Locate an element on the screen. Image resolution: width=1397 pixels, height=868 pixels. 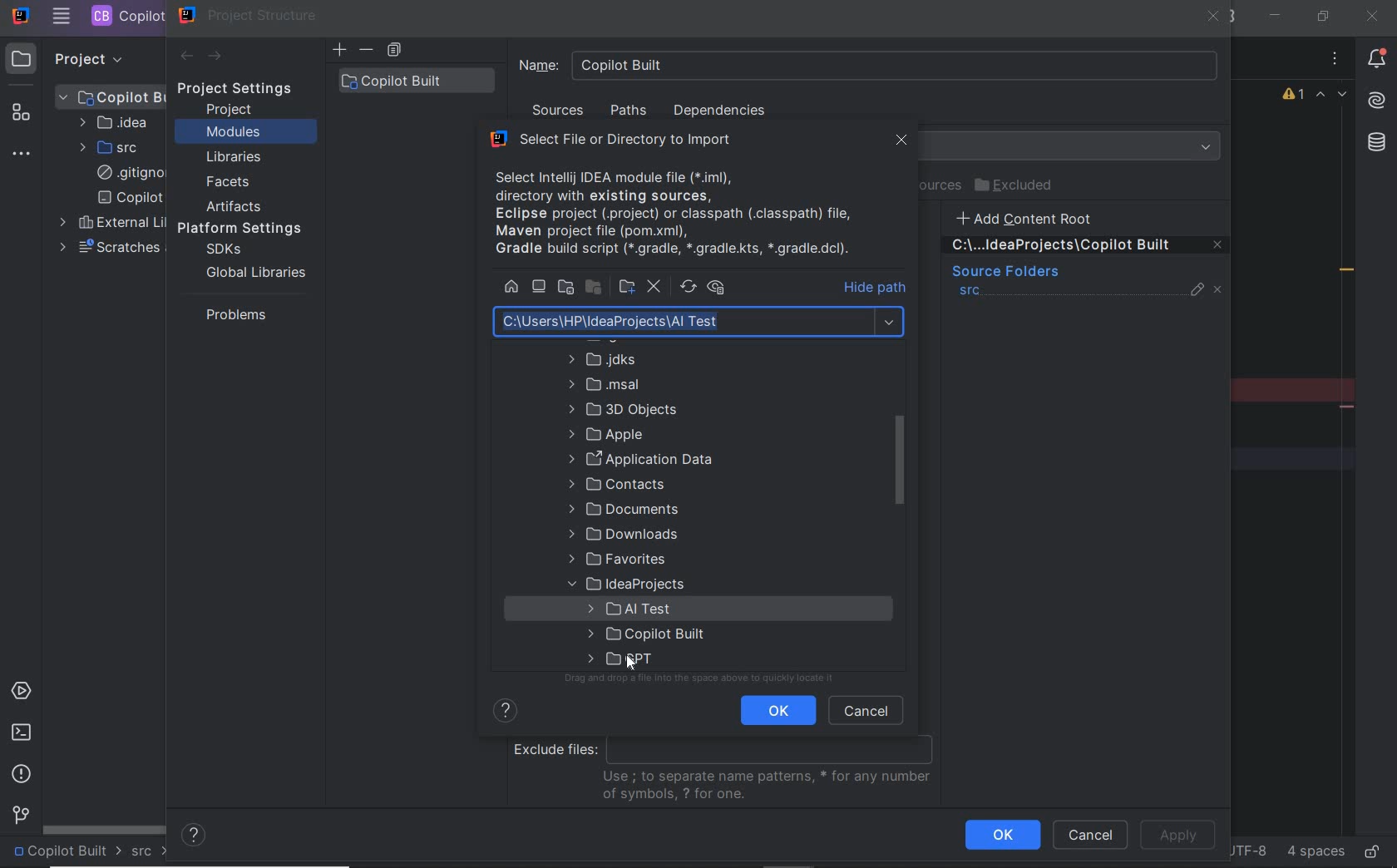
1 warning is located at coordinates (1295, 96).